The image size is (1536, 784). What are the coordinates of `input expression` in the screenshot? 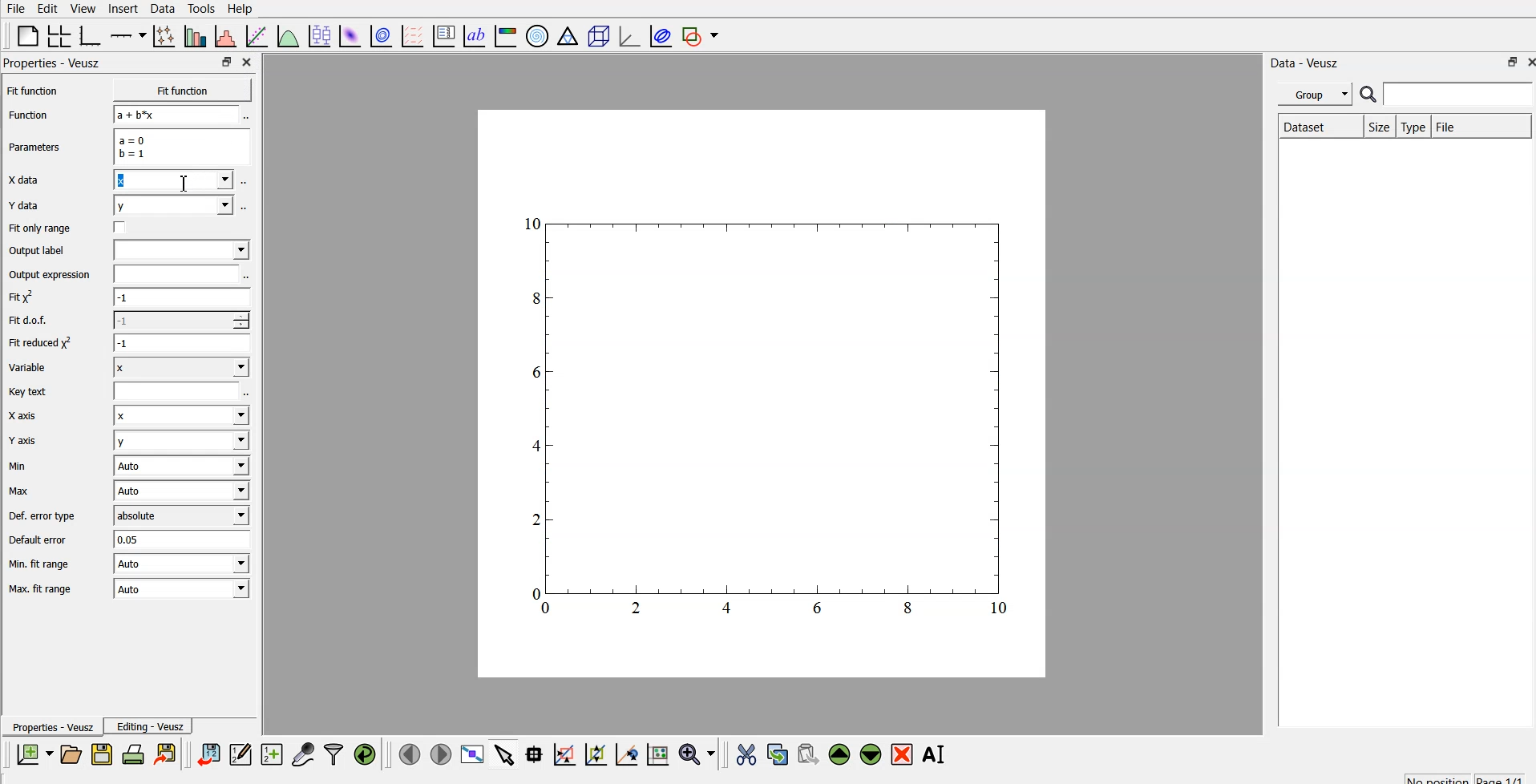 It's located at (182, 275).